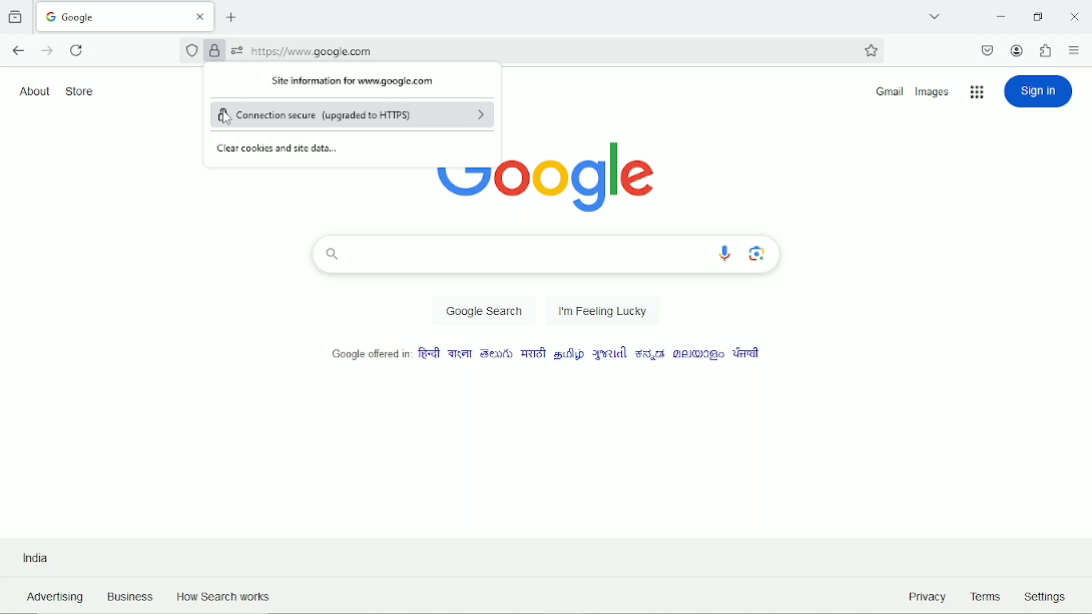  I want to click on language, so click(428, 353).